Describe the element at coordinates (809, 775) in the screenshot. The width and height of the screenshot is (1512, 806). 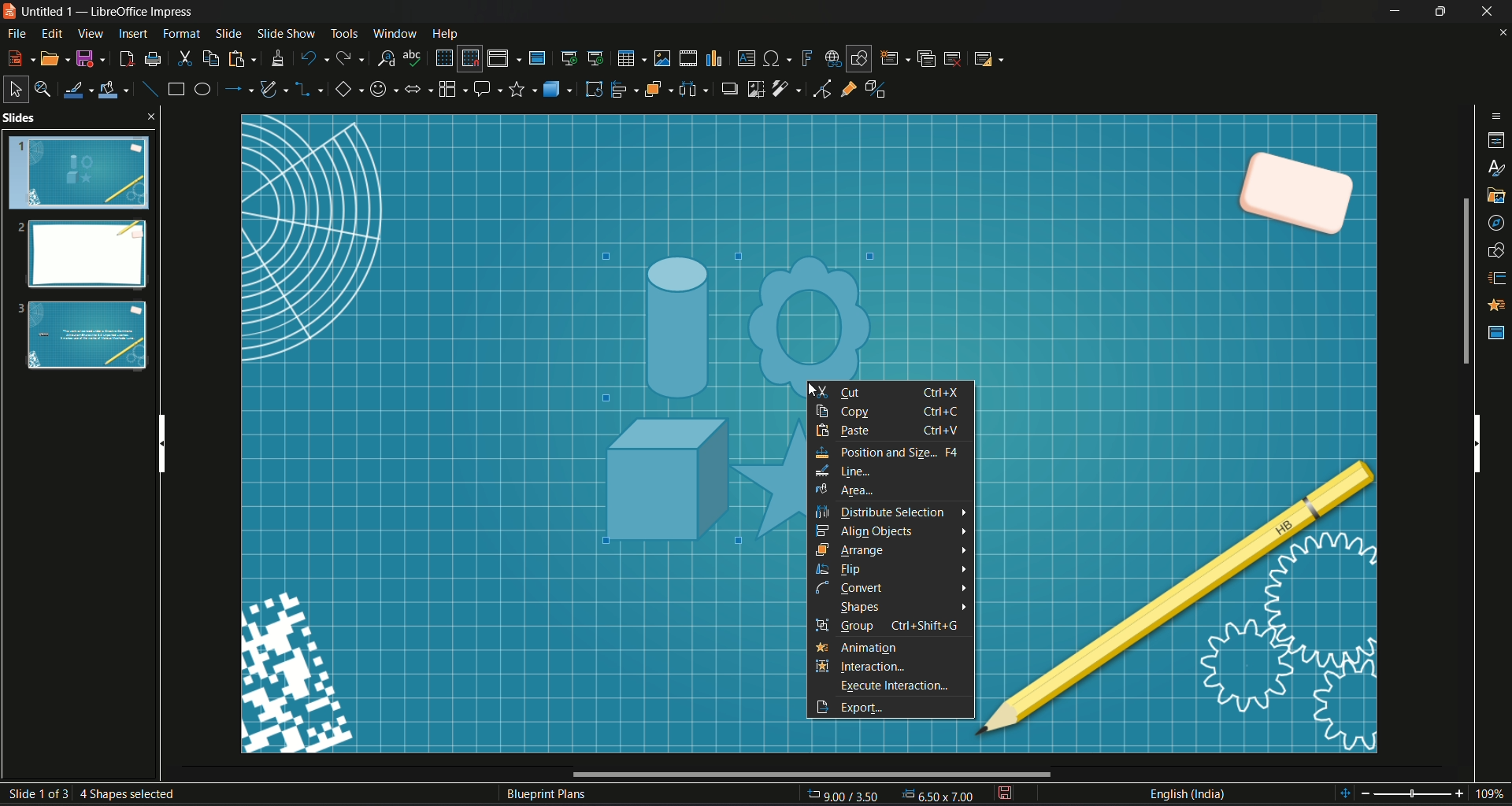
I see `Horizontal Scroll` at that location.